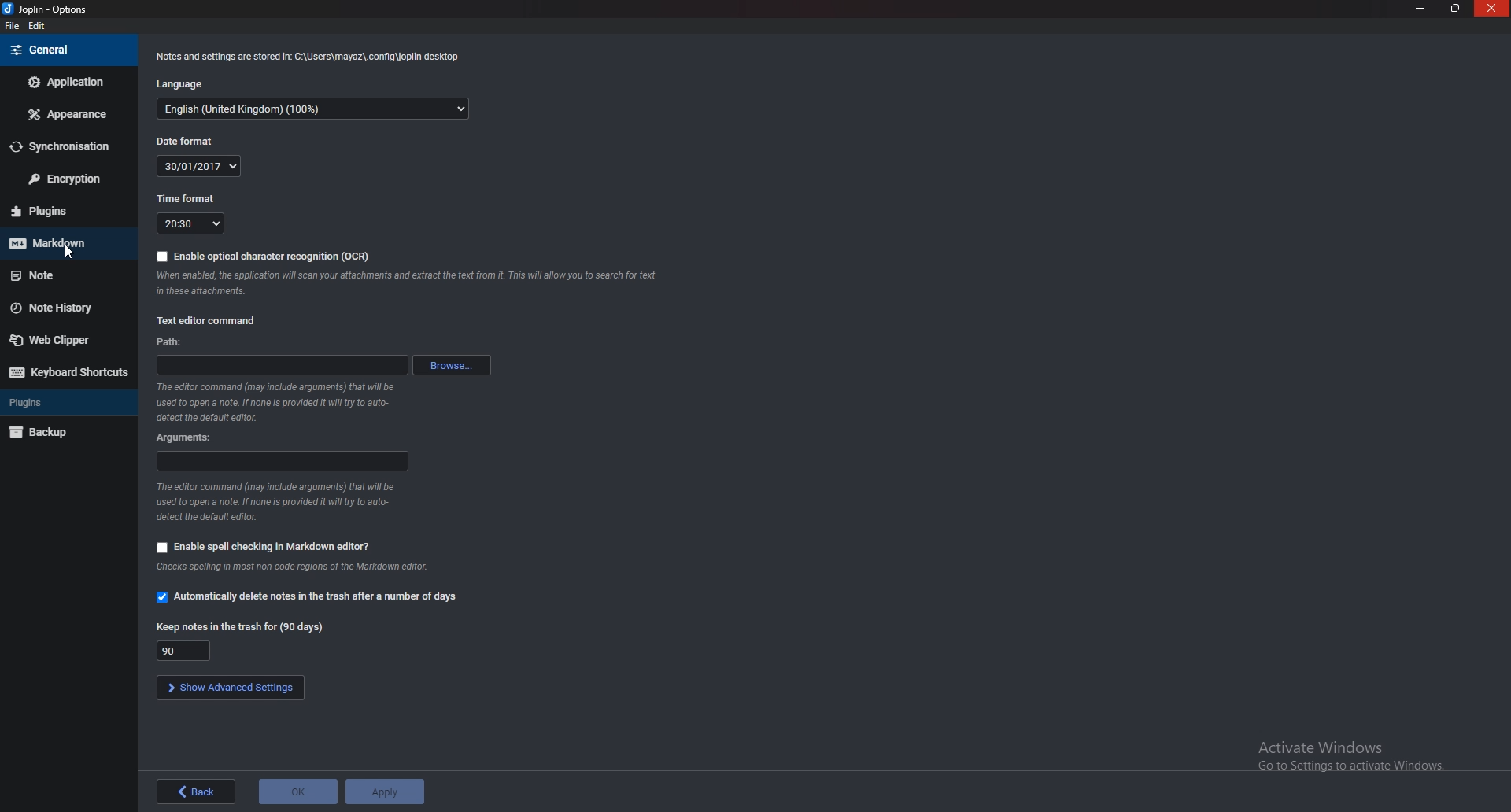 The image size is (1511, 812). I want to click on Show advanced settings, so click(231, 688).